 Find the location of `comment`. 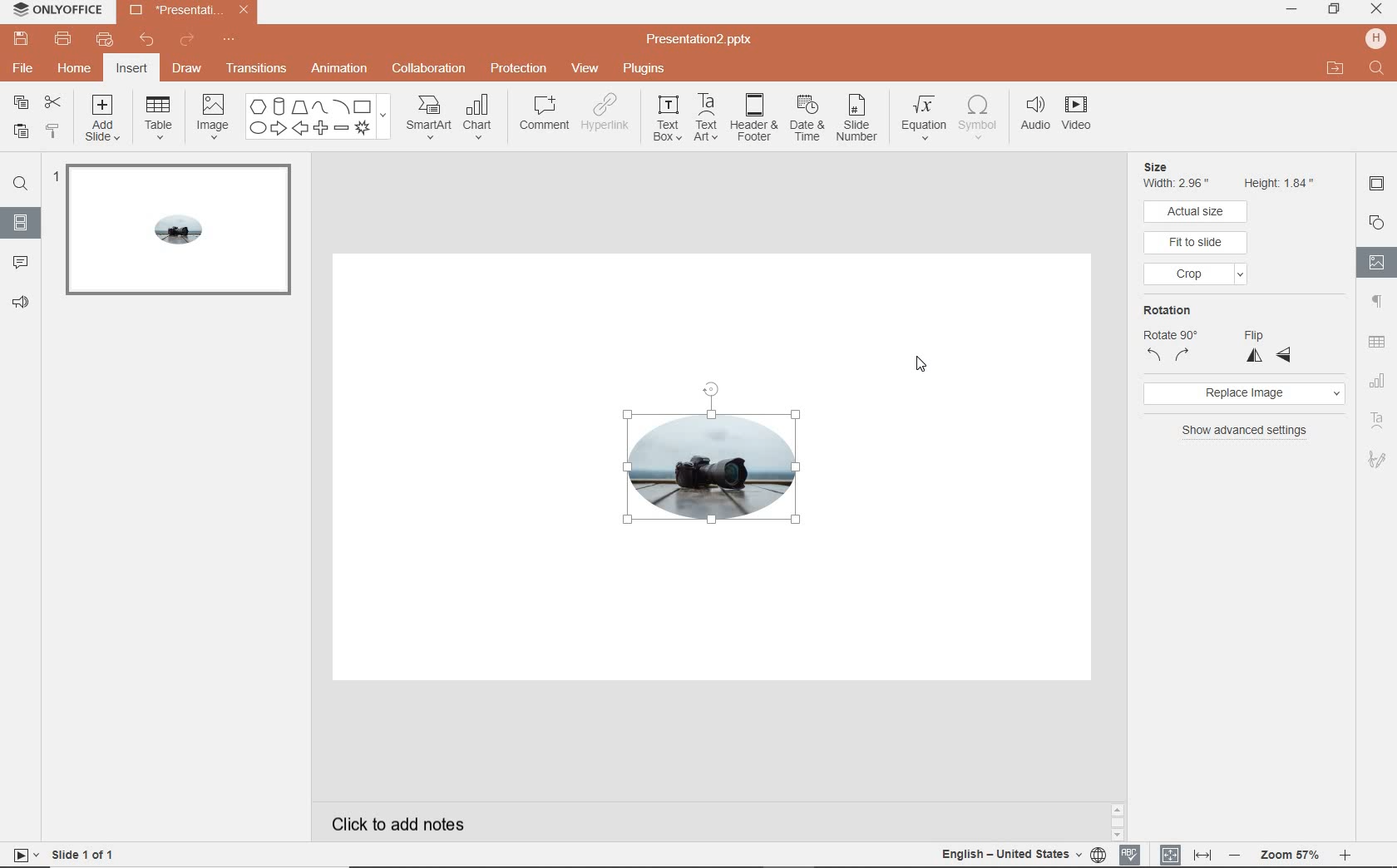

comment is located at coordinates (545, 116).